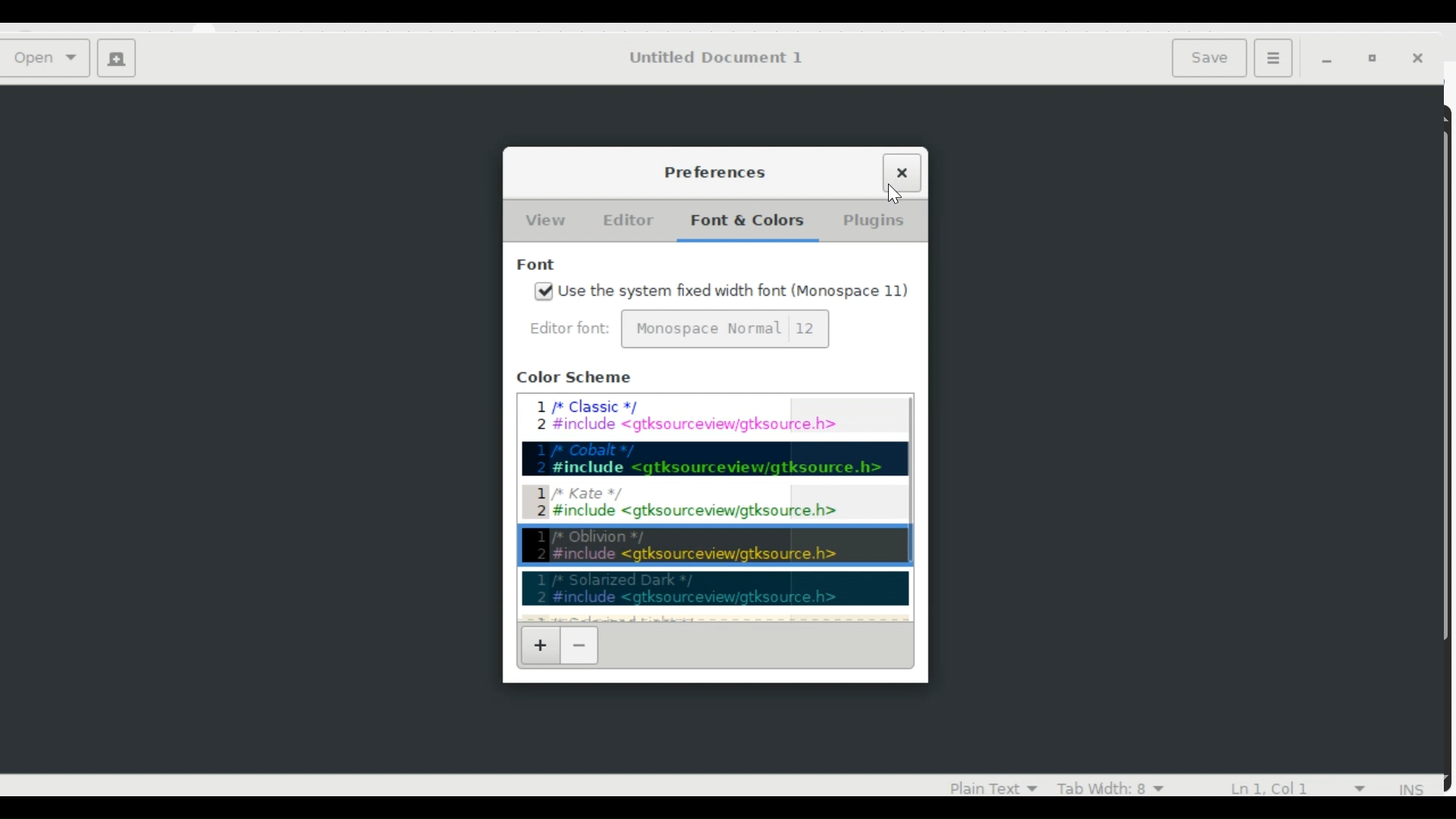 This screenshot has width=1456, height=819. Describe the element at coordinates (984, 786) in the screenshot. I see `plan Text` at that location.